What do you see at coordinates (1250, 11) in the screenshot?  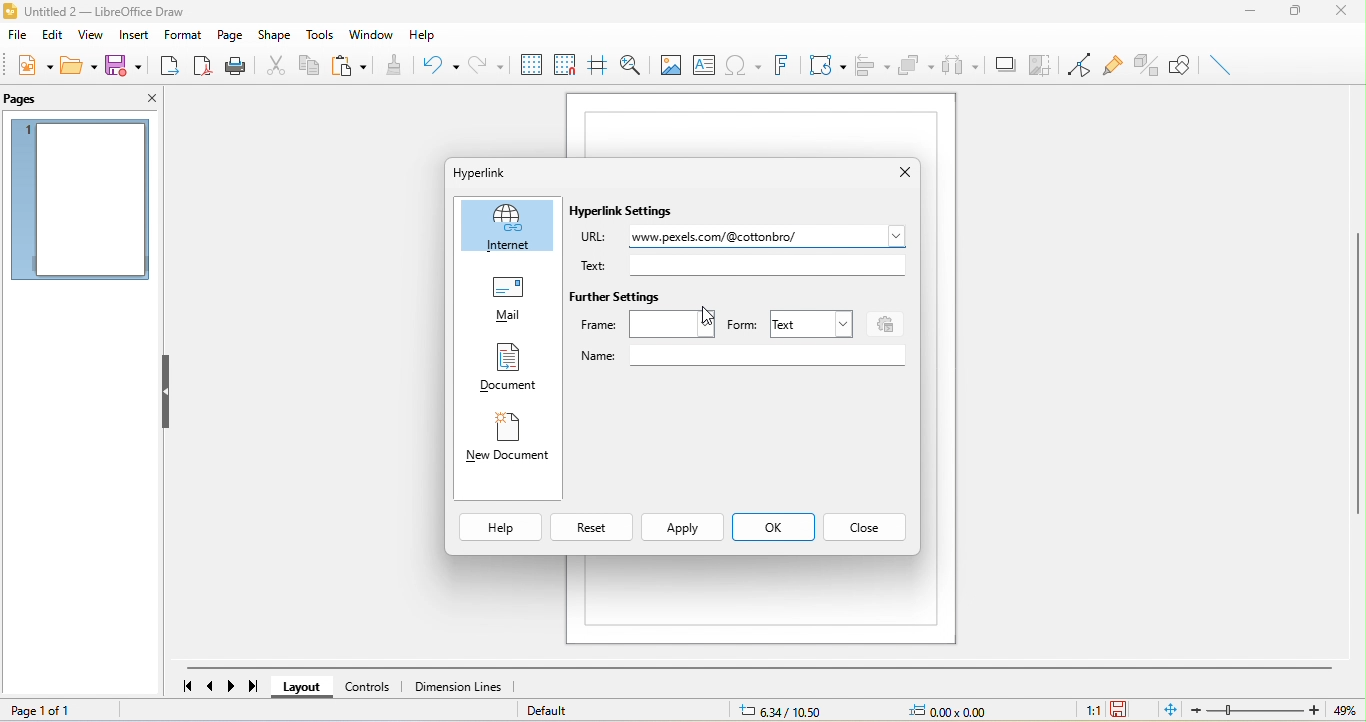 I see `minimize` at bounding box center [1250, 11].